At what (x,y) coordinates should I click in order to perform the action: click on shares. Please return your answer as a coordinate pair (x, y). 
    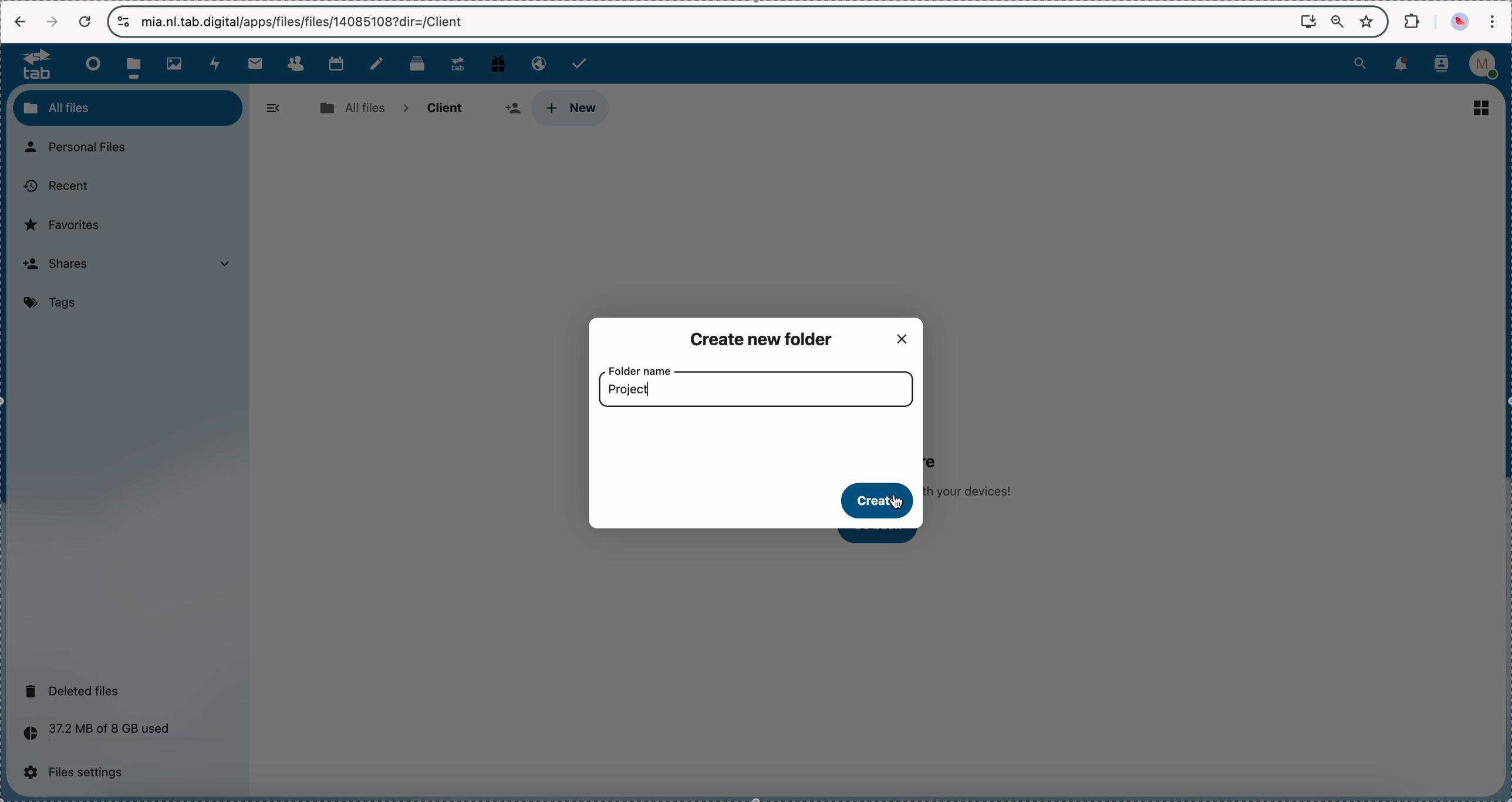
    Looking at the image, I should click on (132, 265).